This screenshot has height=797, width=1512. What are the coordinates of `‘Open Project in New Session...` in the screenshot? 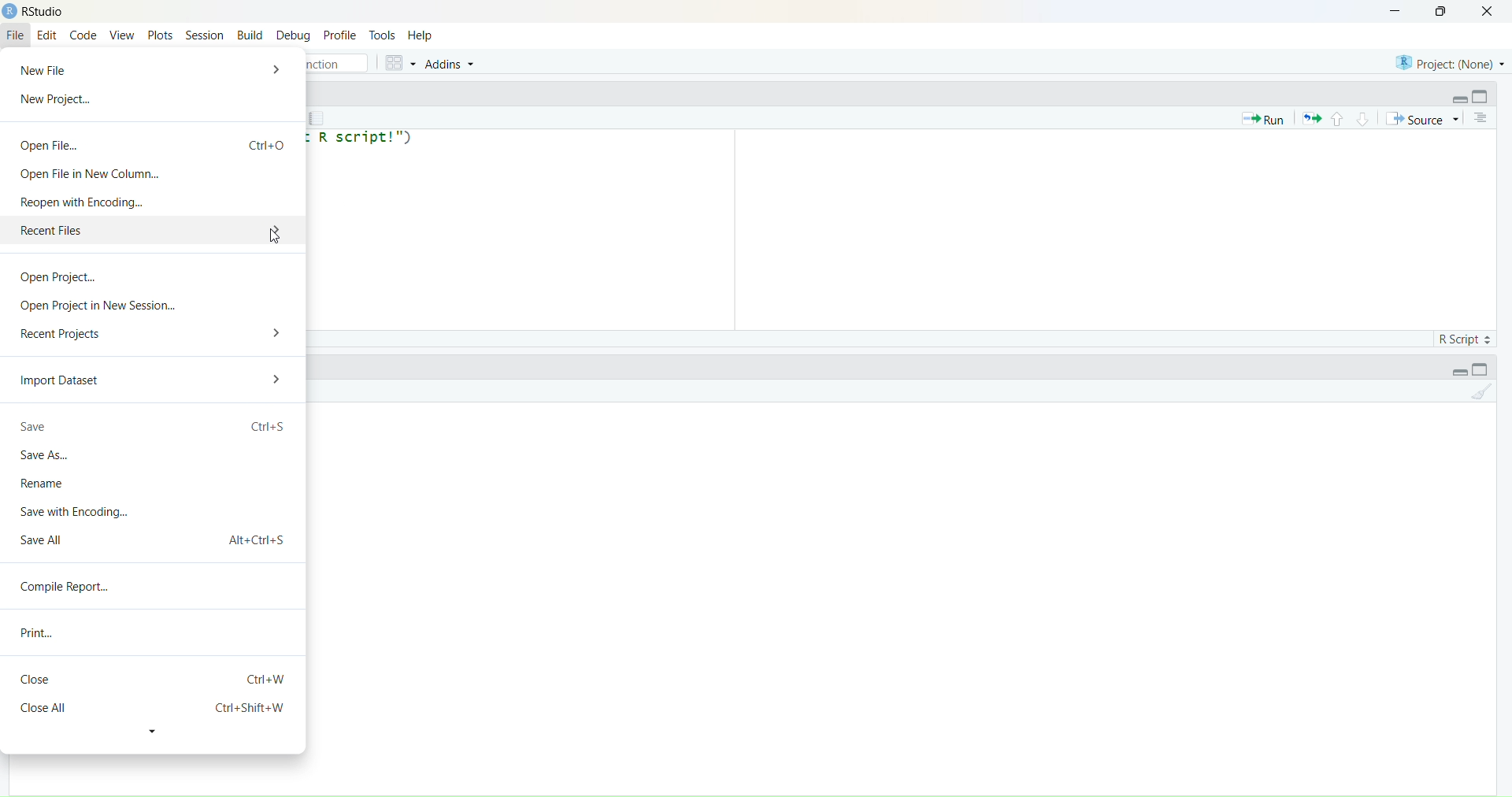 It's located at (98, 306).